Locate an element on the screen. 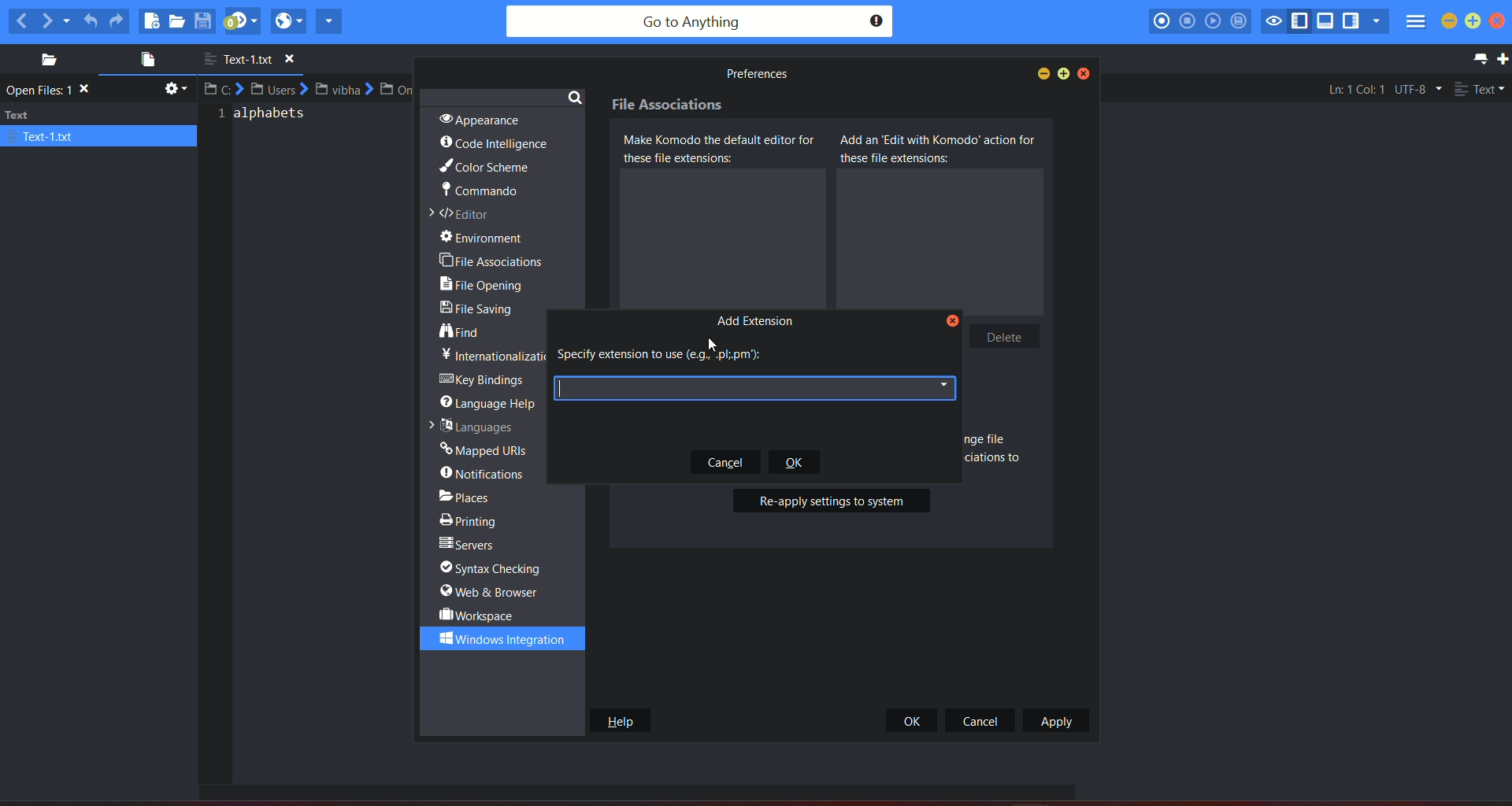 The image size is (1512, 806). windows integration is located at coordinates (495, 638).